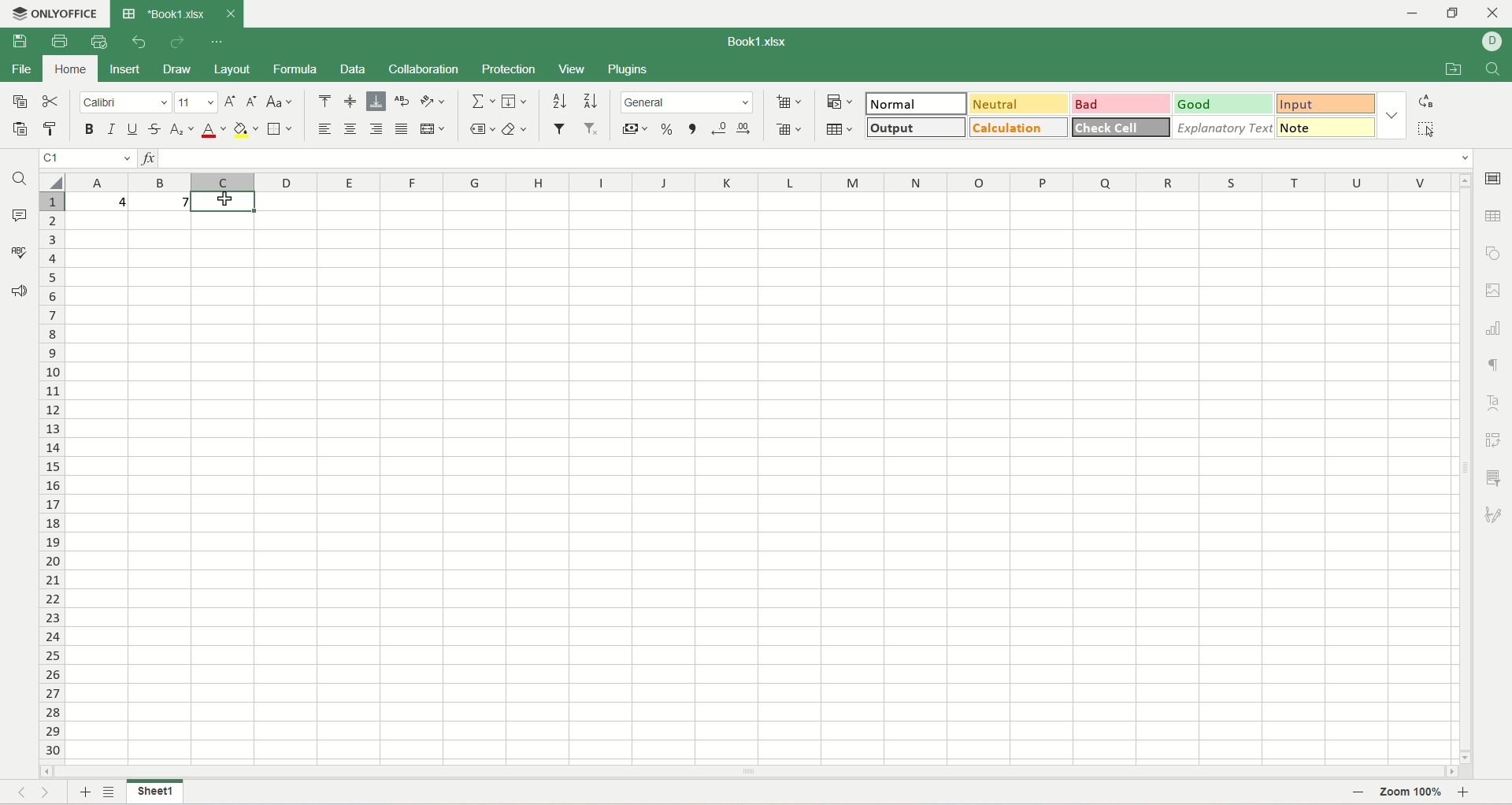 The width and height of the screenshot is (1512, 805). What do you see at coordinates (1495, 69) in the screenshot?
I see `find` at bounding box center [1495, 69].